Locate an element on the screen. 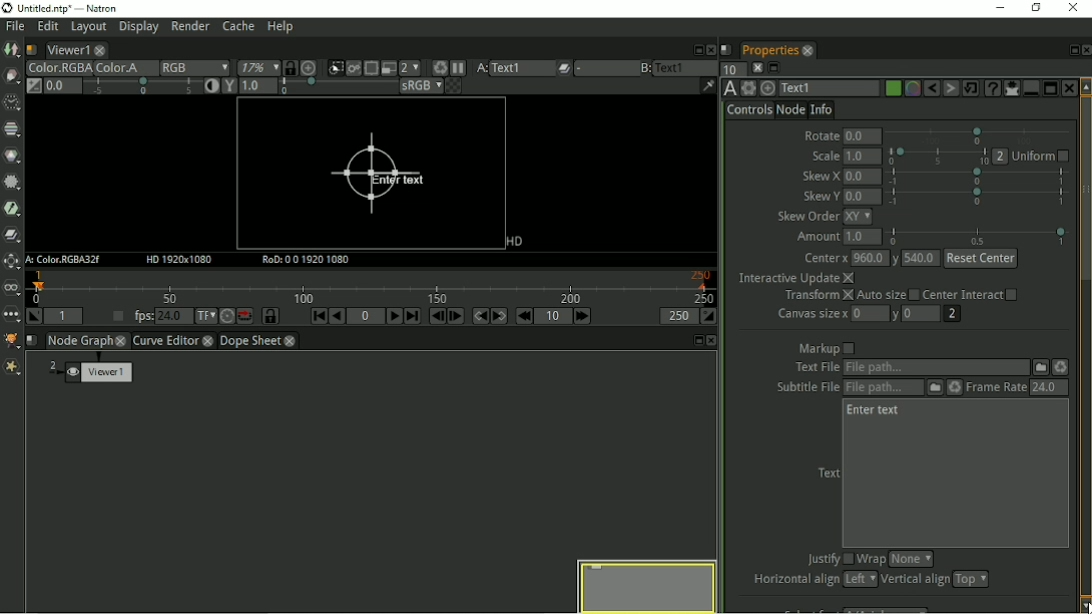  960 is located at coordinates (868, 257).